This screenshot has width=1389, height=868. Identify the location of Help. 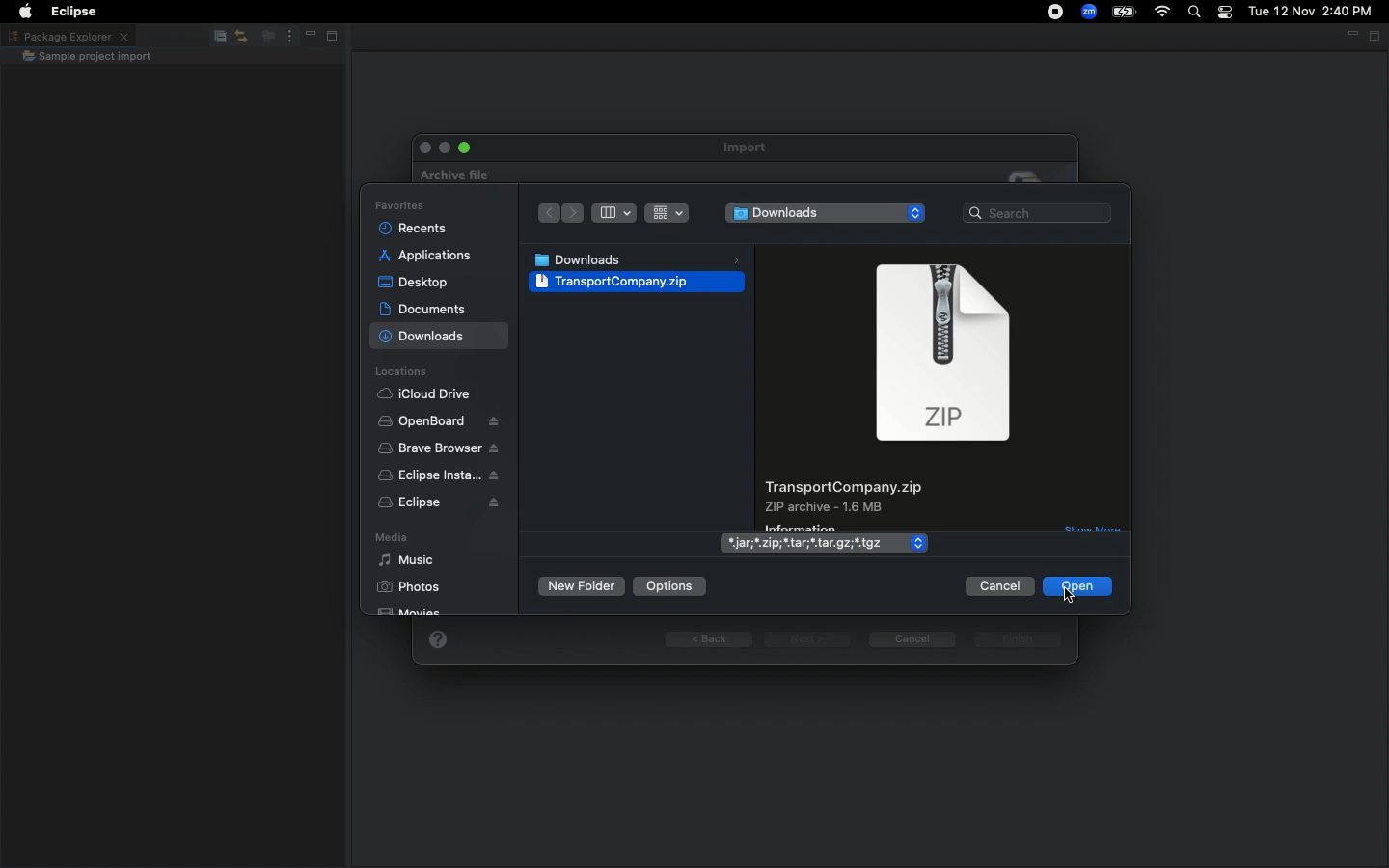
(437, 637).